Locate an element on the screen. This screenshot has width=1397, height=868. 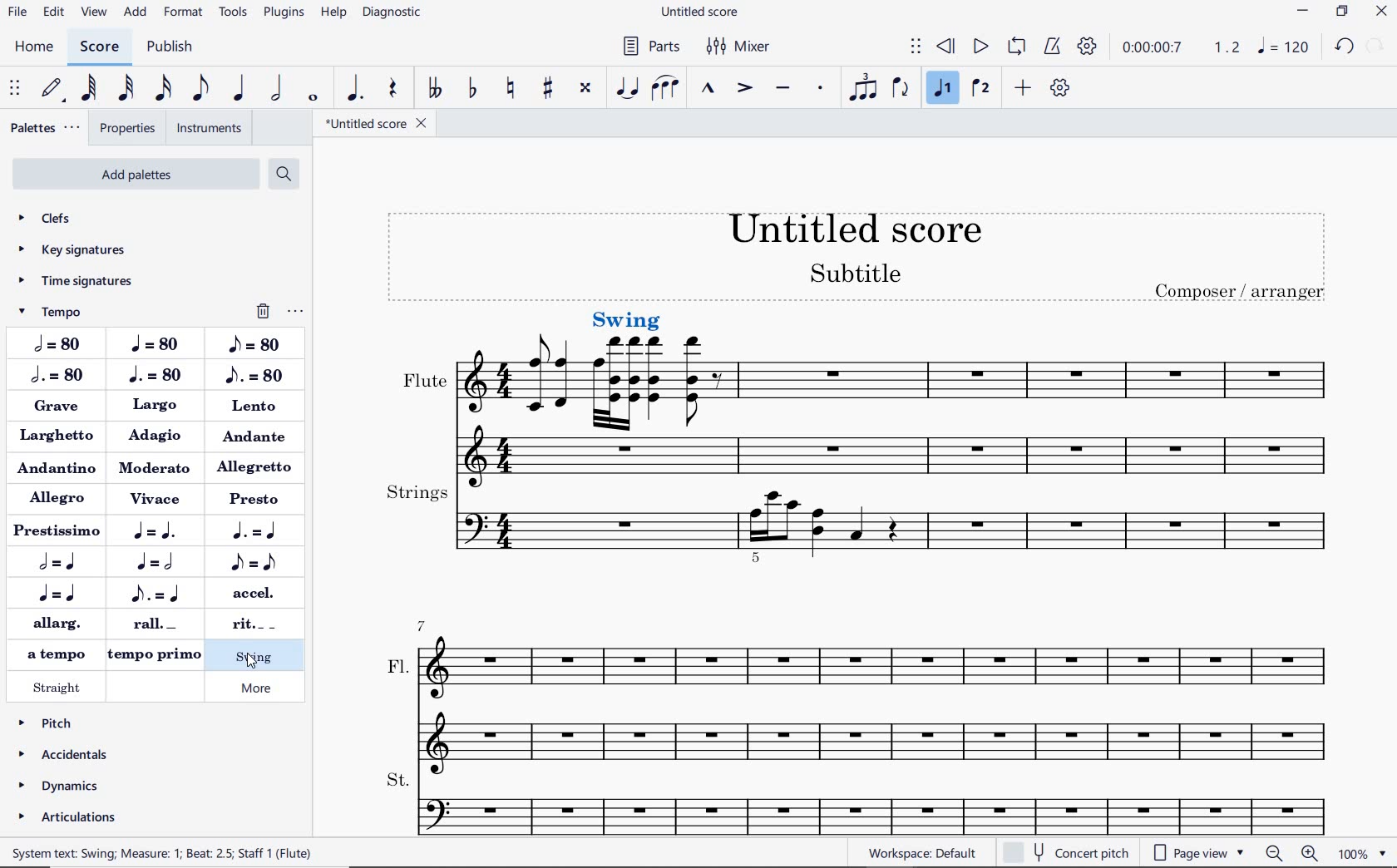
articulations is located at coordinates (66, 817).